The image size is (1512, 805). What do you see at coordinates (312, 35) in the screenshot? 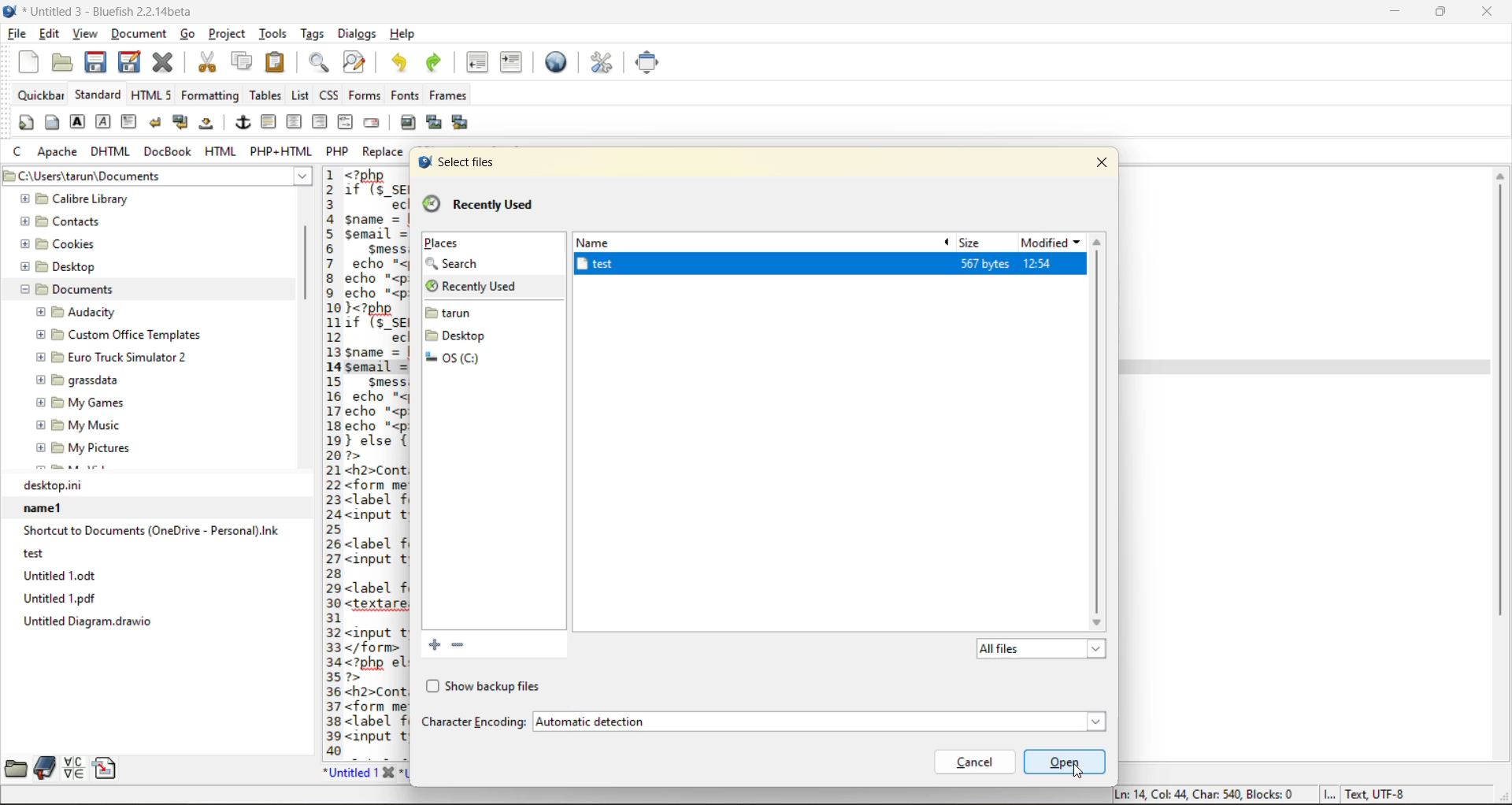
I see `tags` at bounding box center [312, 35].